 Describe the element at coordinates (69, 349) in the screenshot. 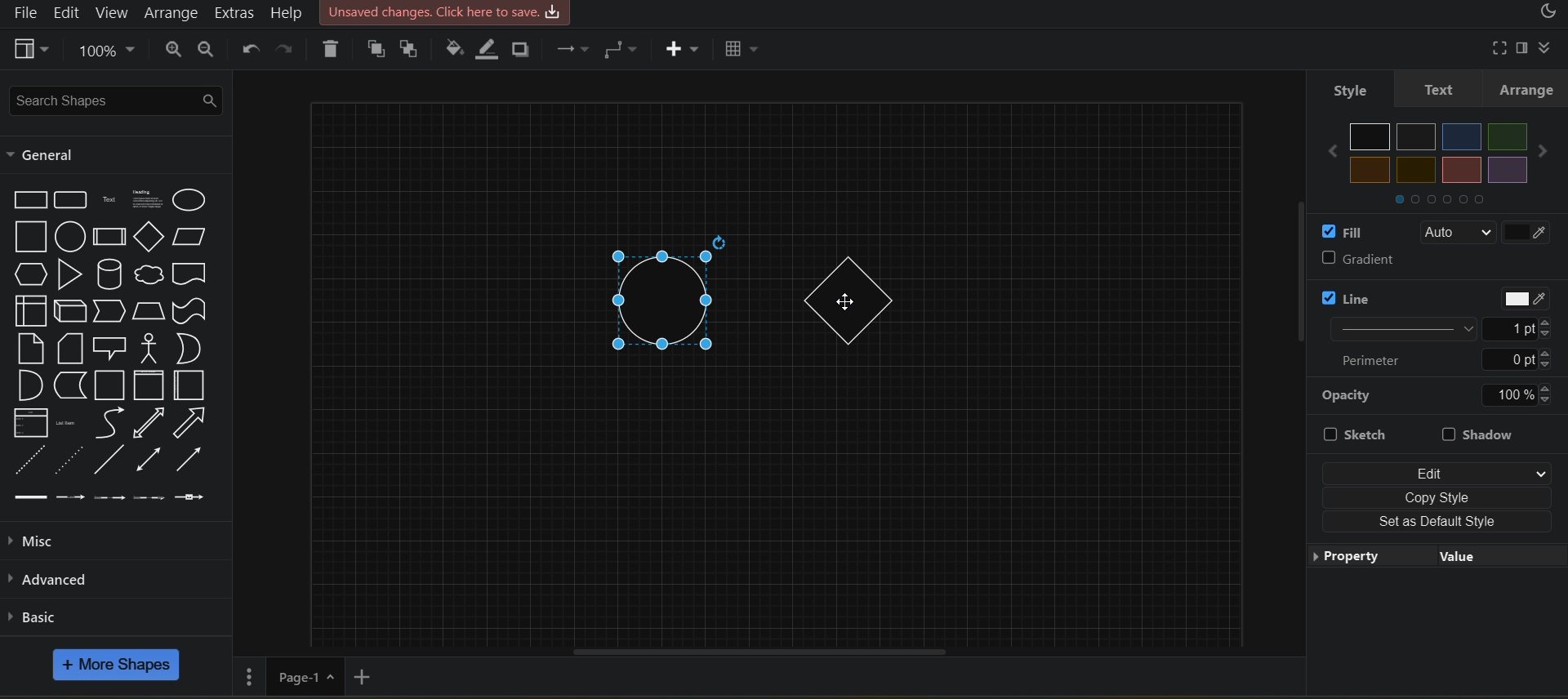

I see `Card` at that location.